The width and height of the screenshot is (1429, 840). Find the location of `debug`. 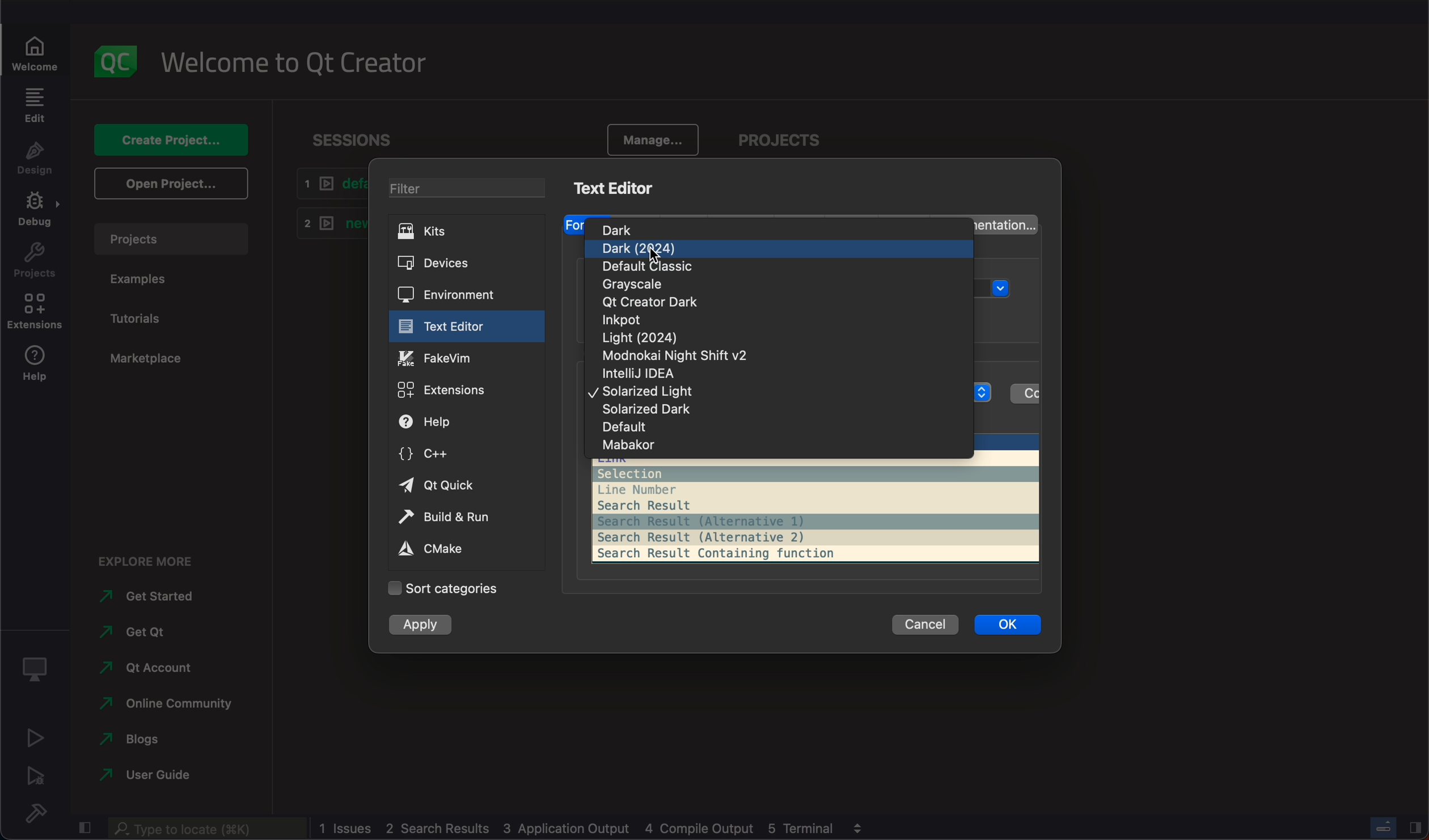

debug is located at coordinates (37, 670).